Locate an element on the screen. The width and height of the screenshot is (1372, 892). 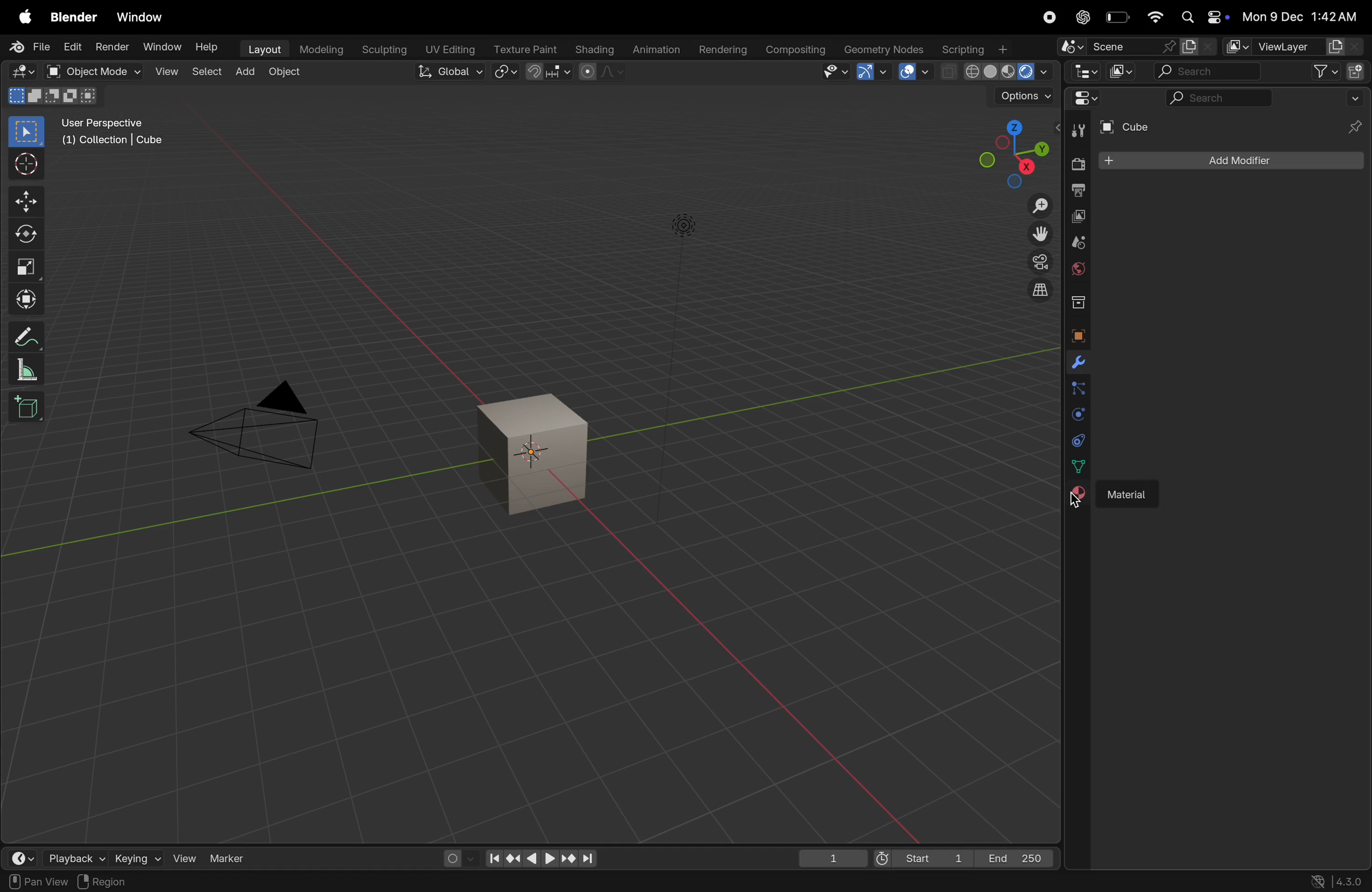
modelling is located at coordinates (323, 50).